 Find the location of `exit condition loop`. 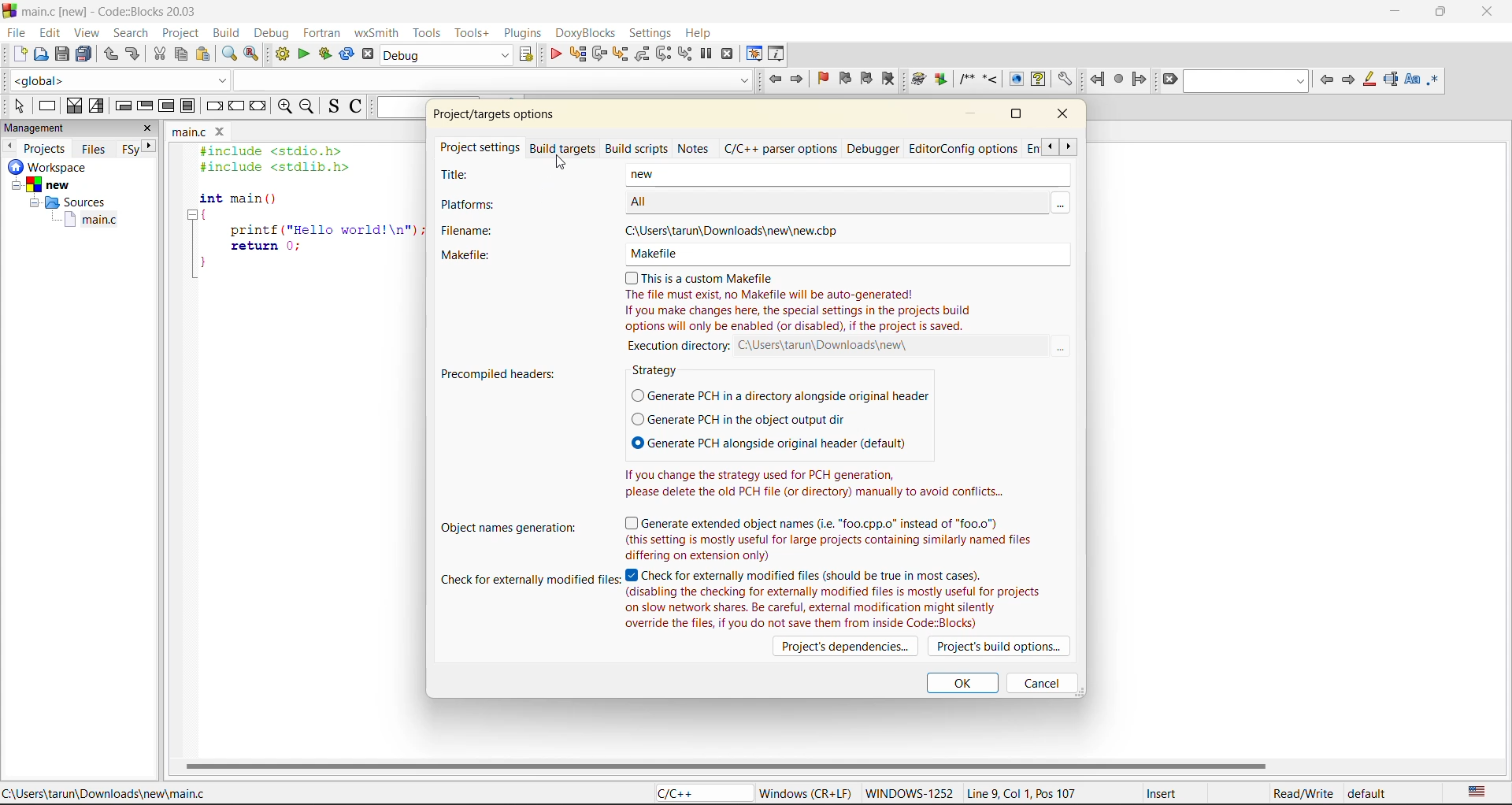

exit condition loop is located at coordinates (146, 106).